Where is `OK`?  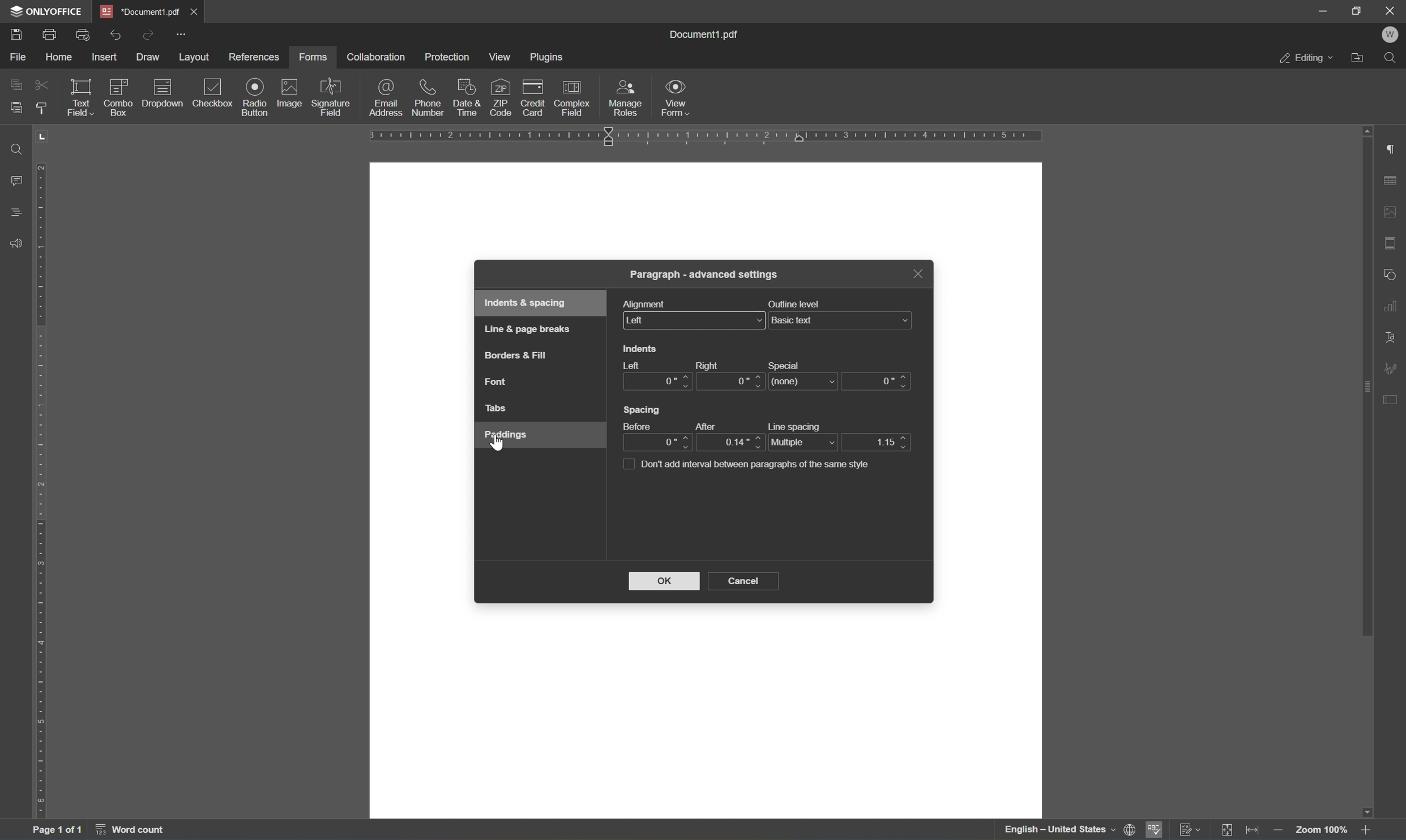
OK is located at coordinates (664, 580).